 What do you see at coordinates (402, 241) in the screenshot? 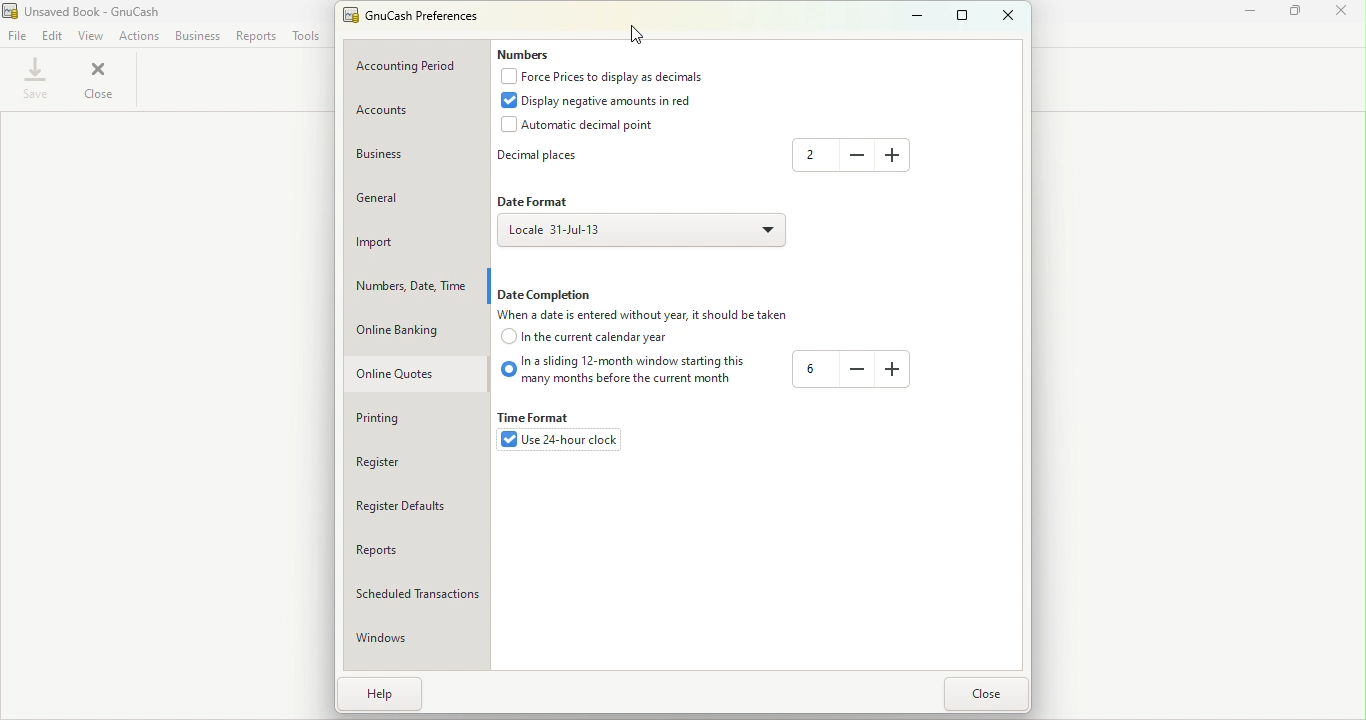
I see `Import` at bounding box center [402, 241].